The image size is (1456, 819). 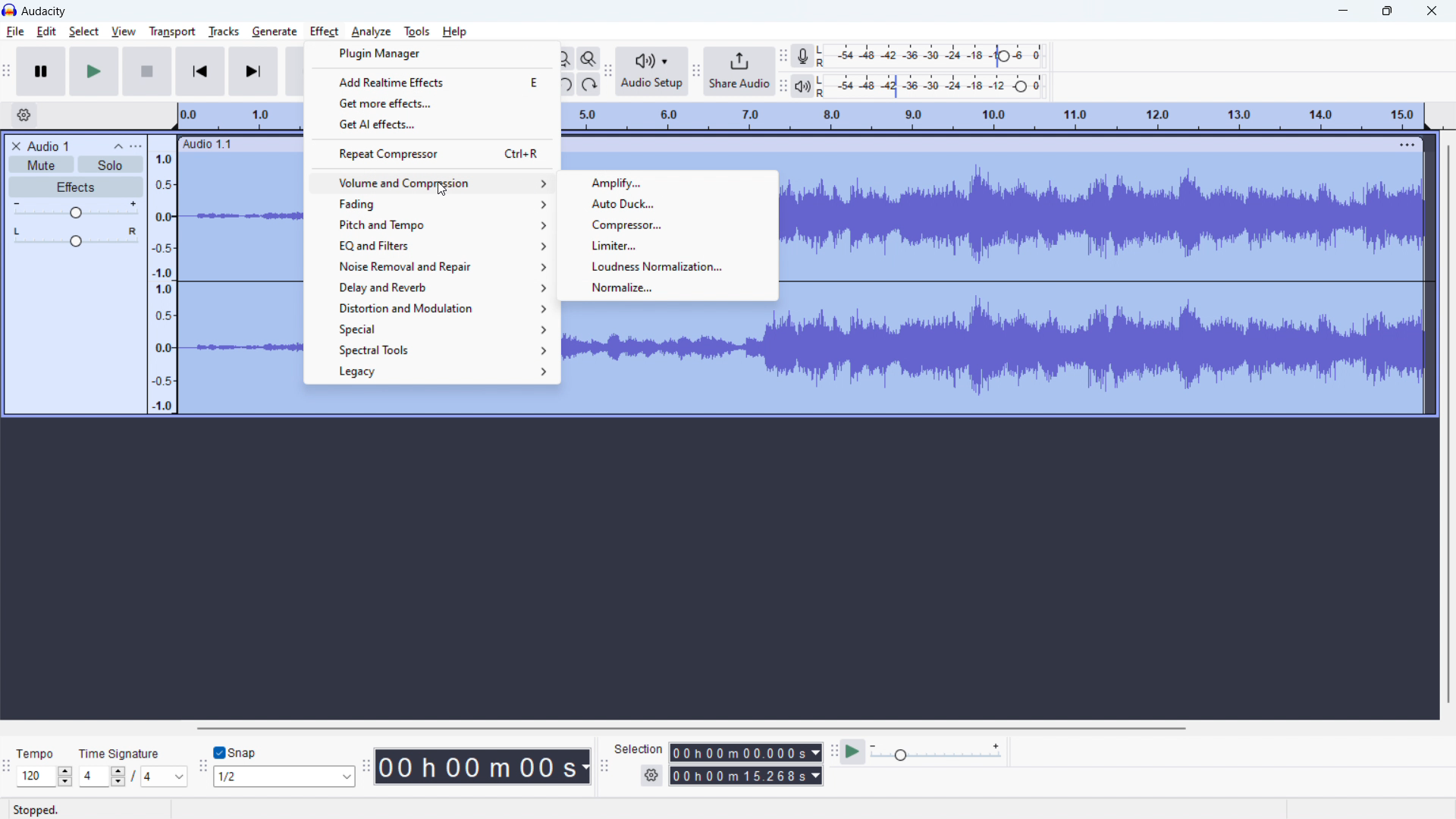 What do you see at coordinates (147, 71) in the screenshot?
I see `stop` at bounding box center [147, 71].